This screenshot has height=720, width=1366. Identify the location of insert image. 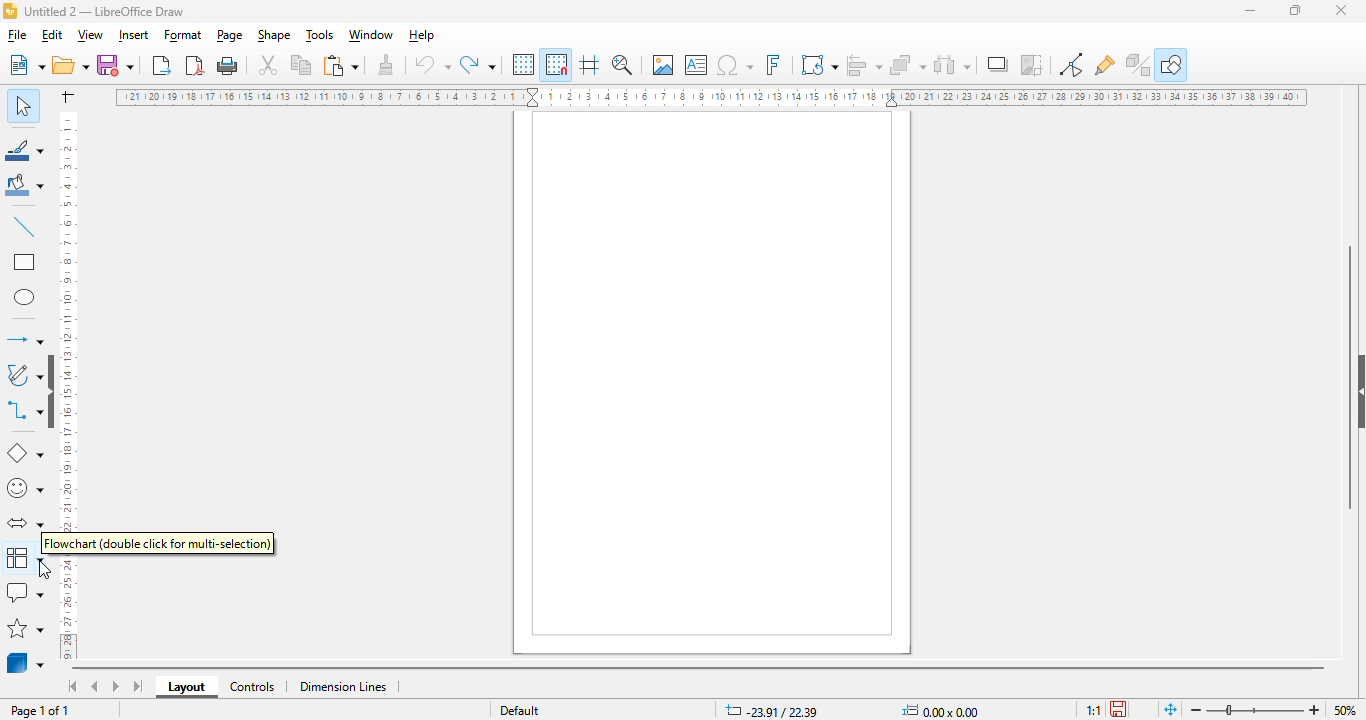
(663, 65).